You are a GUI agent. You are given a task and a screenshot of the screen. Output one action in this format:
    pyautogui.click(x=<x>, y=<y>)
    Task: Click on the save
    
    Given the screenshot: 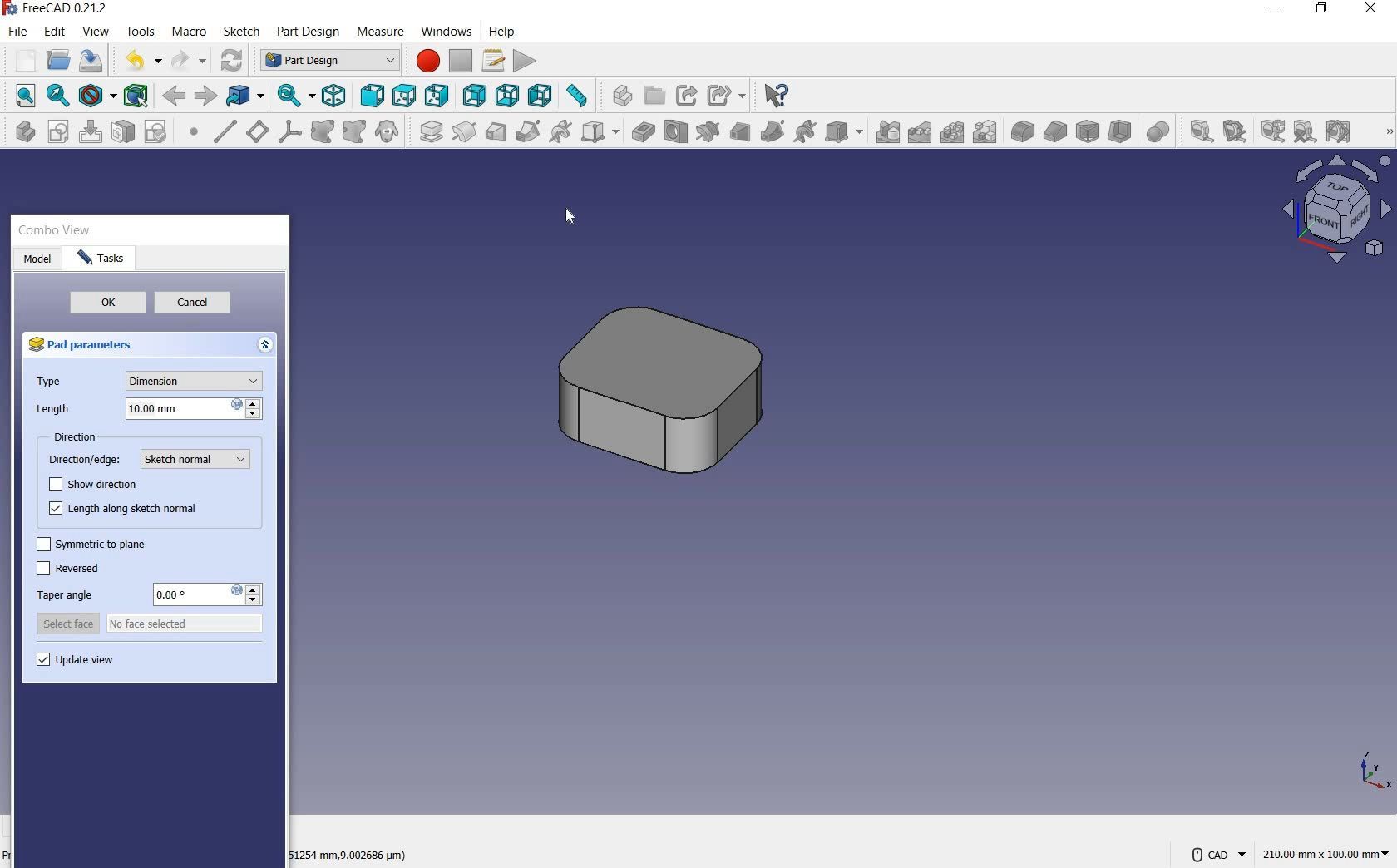 What is the action you would take?
    pyautogui.click(x=94, y=61)
    